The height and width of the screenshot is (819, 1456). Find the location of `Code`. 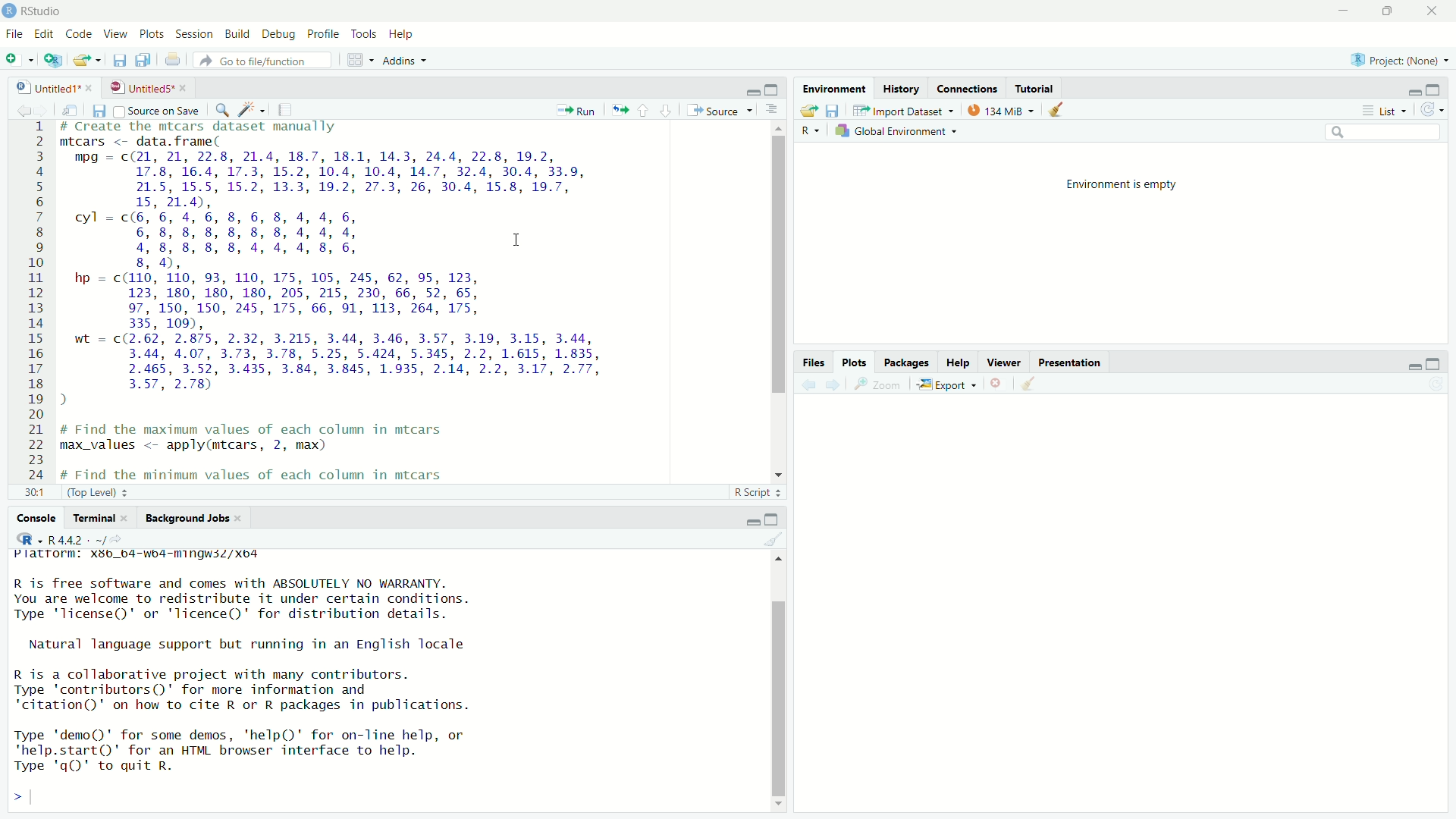

Code is located at coordinates (80, 34).